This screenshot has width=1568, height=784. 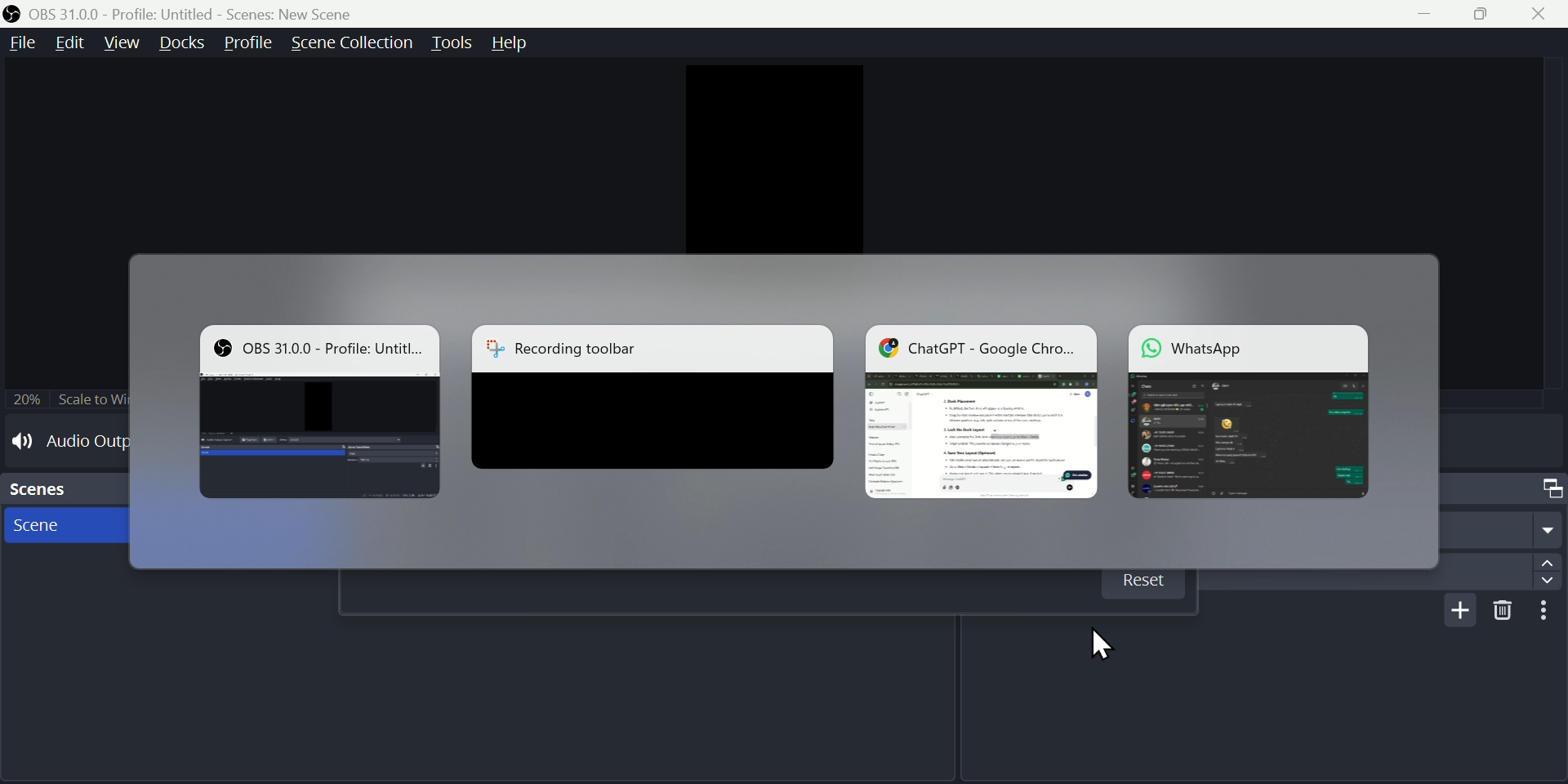 I want to click on cursor, so click(x=1104, y=647).